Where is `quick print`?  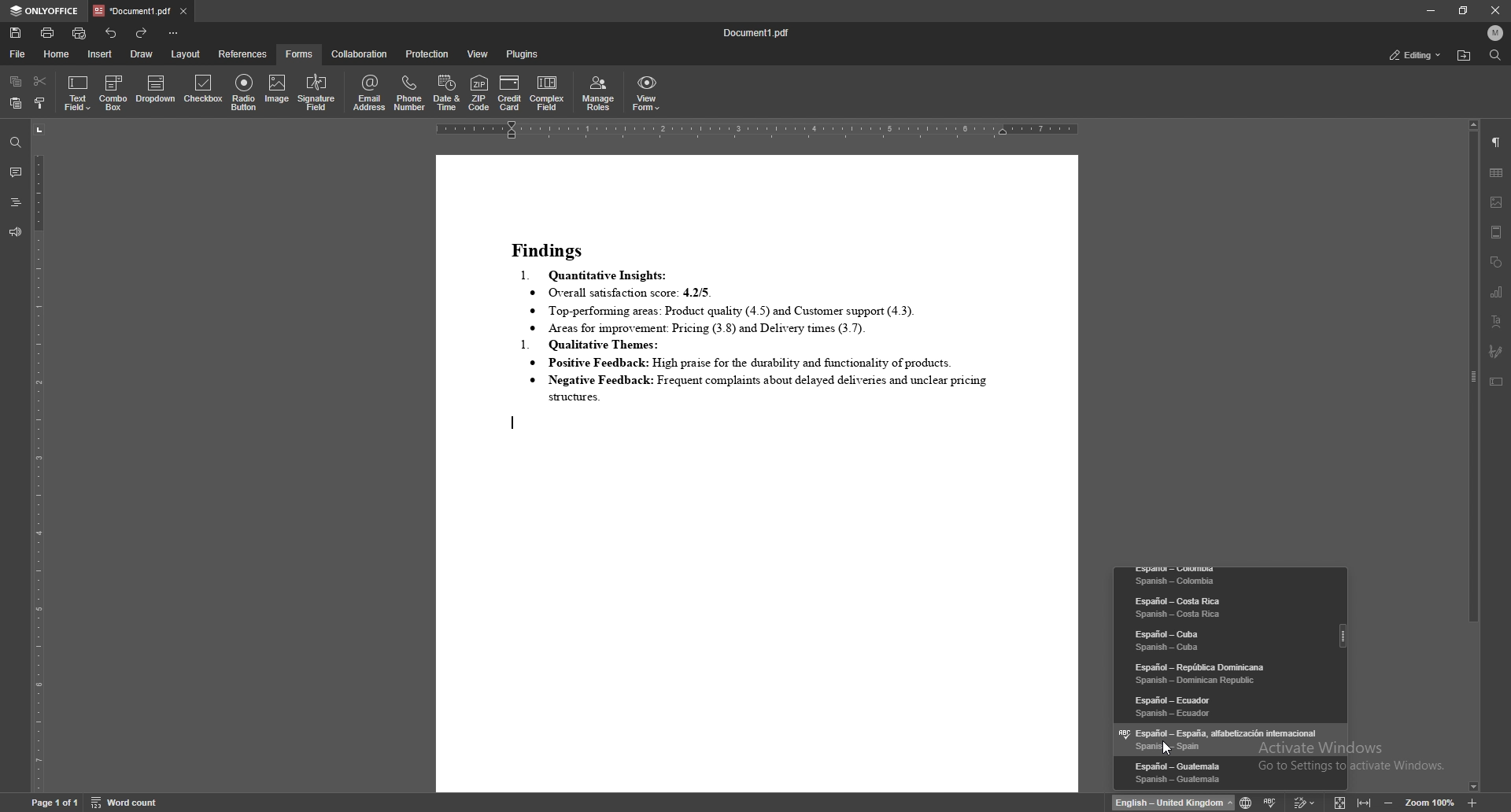
quick print is located at coordinates (80, 33).